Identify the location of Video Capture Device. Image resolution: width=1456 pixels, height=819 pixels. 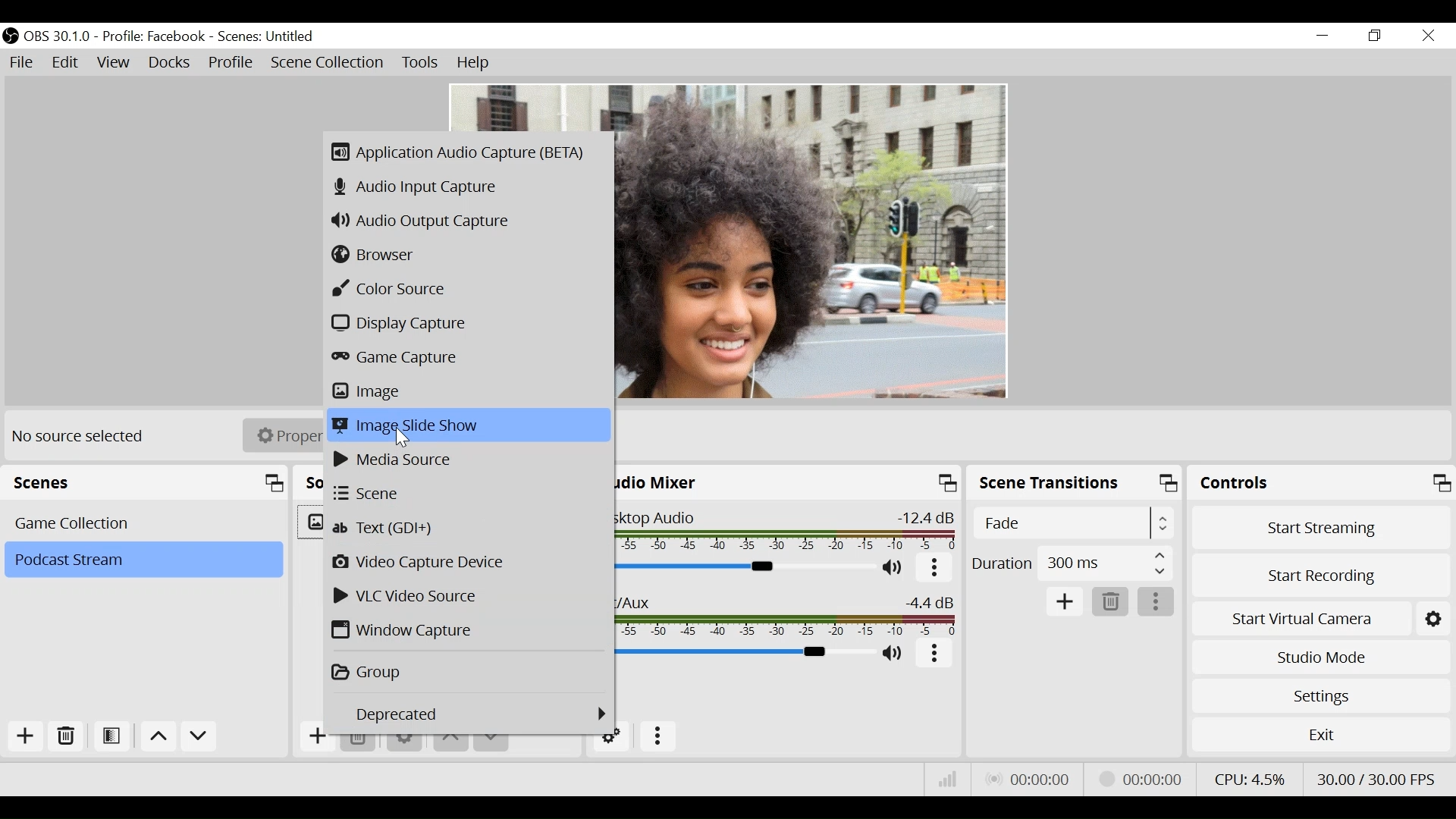
(469, 563).